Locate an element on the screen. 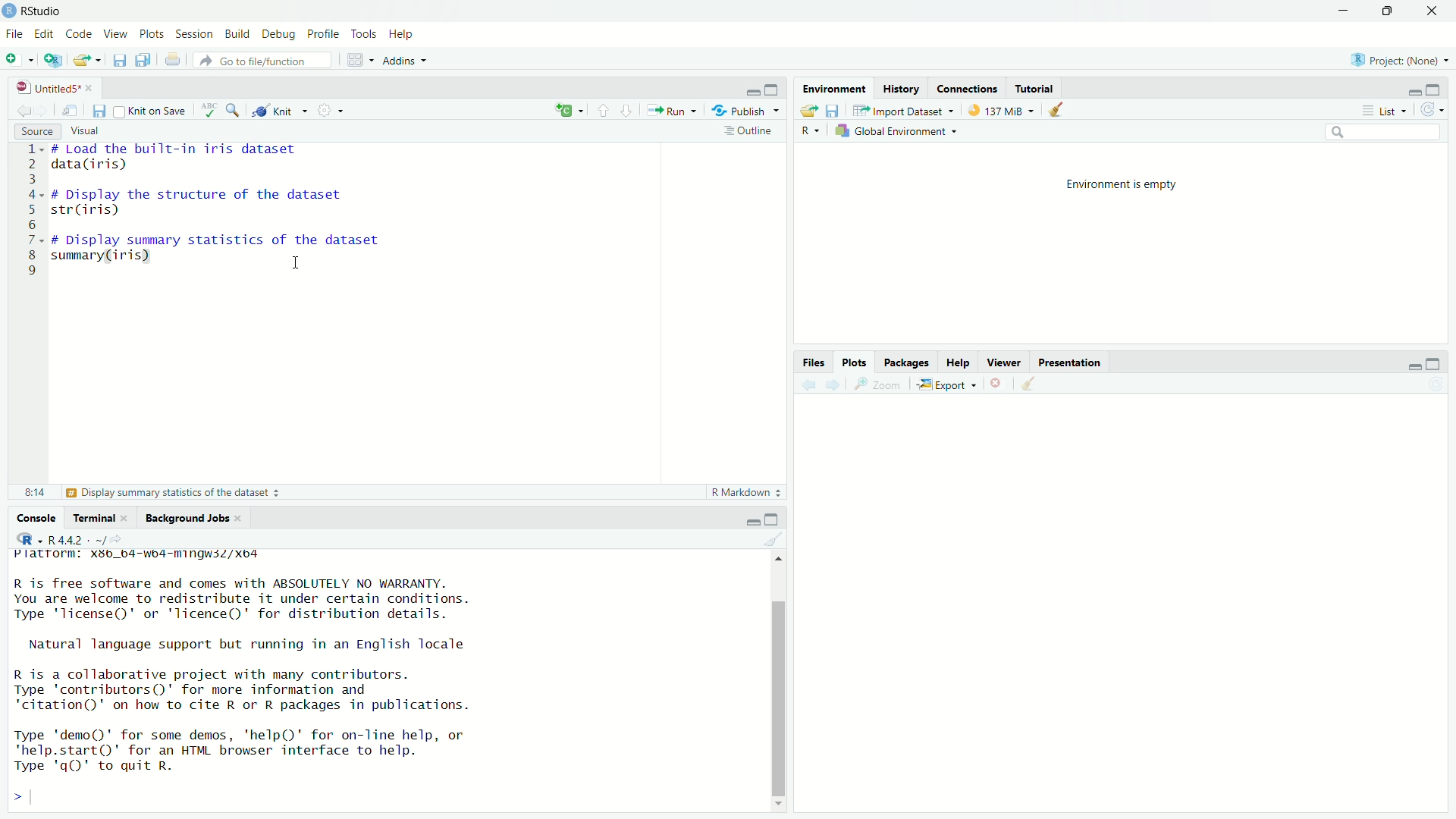 Image resolution: width=1456 pixels, height=819 pixels. Files is located at coordinates (814, 362).